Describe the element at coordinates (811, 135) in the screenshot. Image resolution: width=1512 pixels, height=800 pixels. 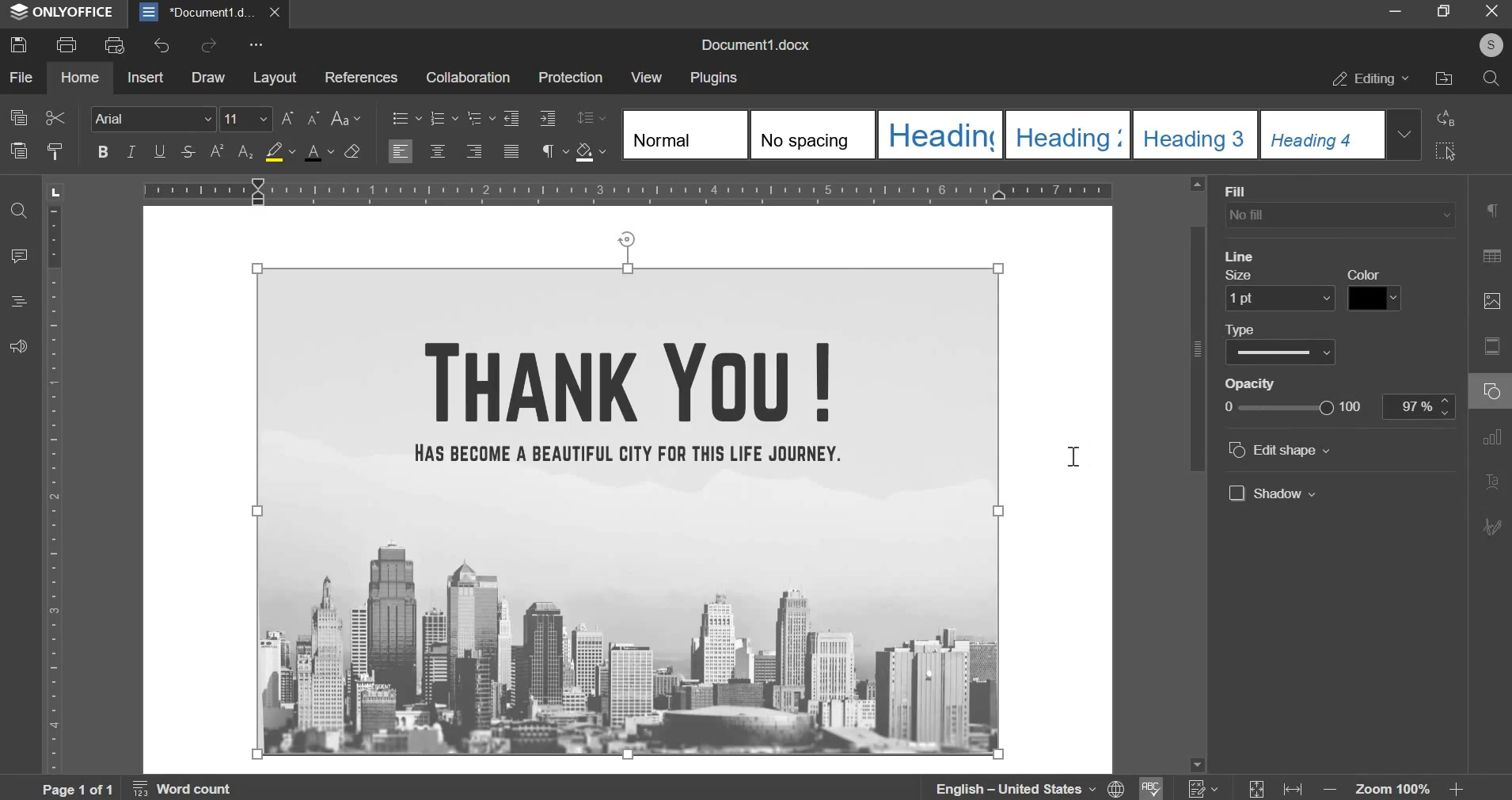
I see `No spacing` at that location.